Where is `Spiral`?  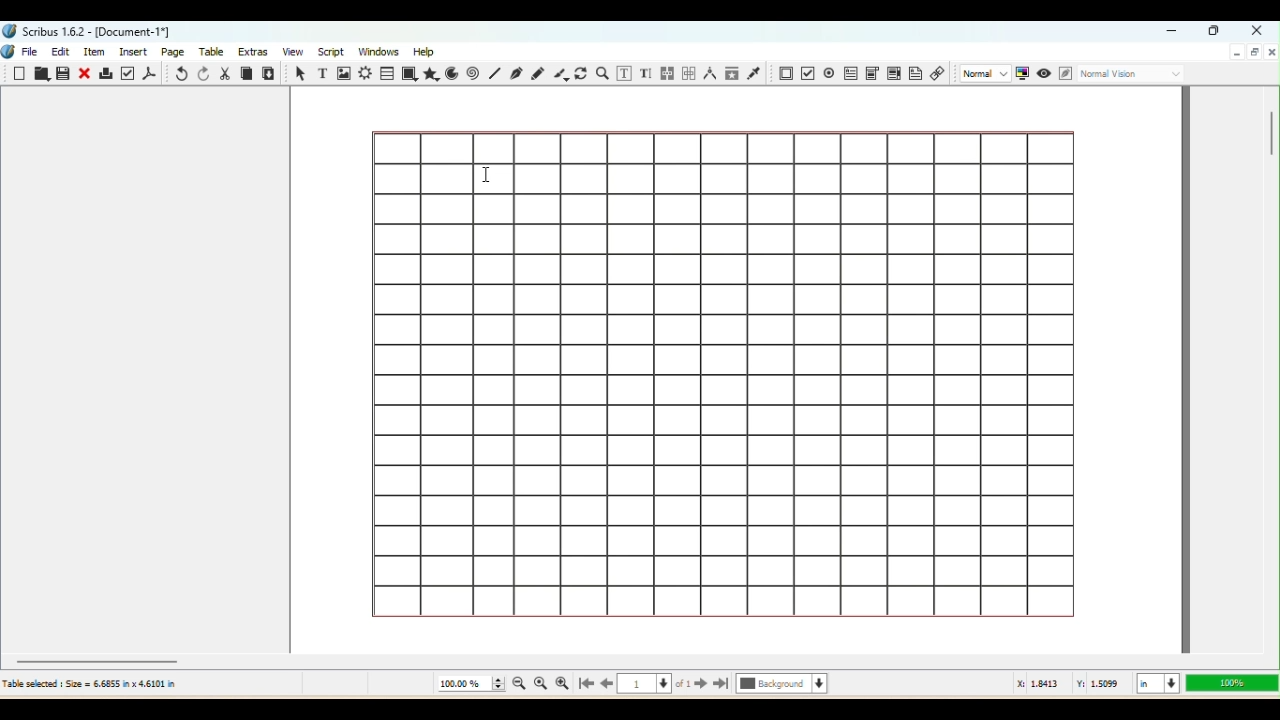
Spiral is located at coordinates (475, 74).